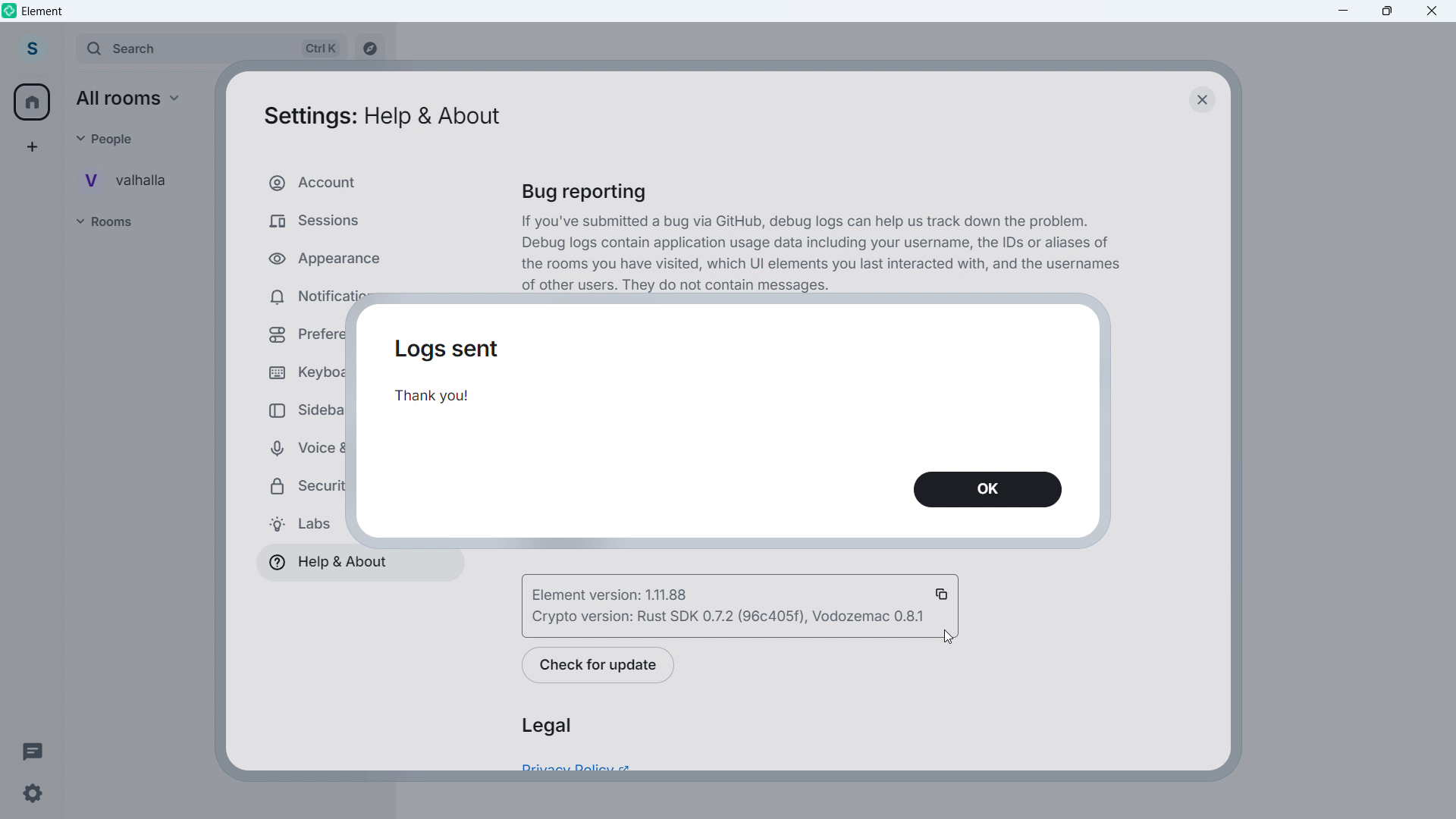 This screenshot has height=819, width=1456. Describe the element at coordinates (209, 49) in the screenshot. I see `search ` at that location.